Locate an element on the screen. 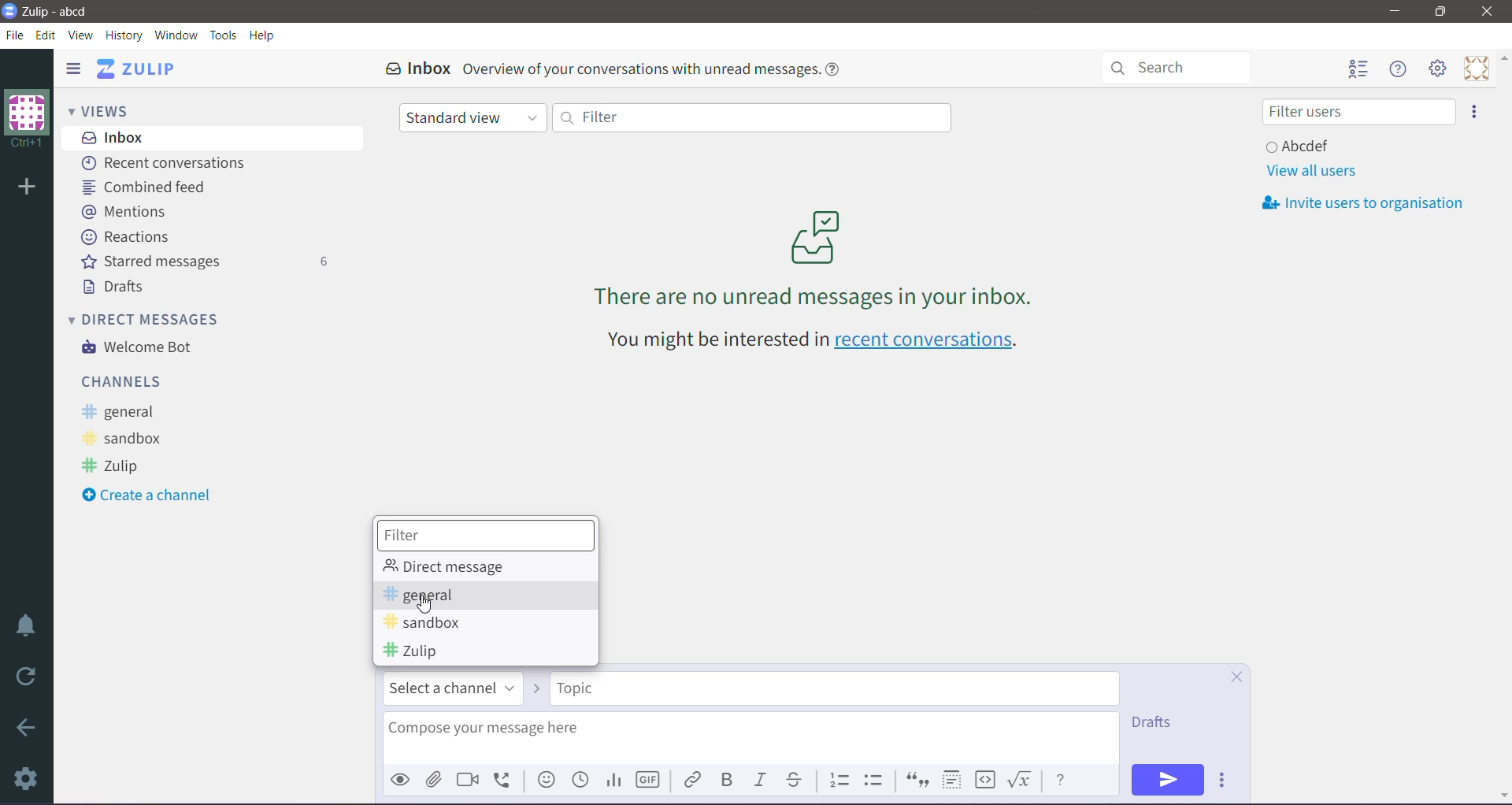 This screenshot has width=1512, height=805. Go Back is located at coordinates (27, 727).